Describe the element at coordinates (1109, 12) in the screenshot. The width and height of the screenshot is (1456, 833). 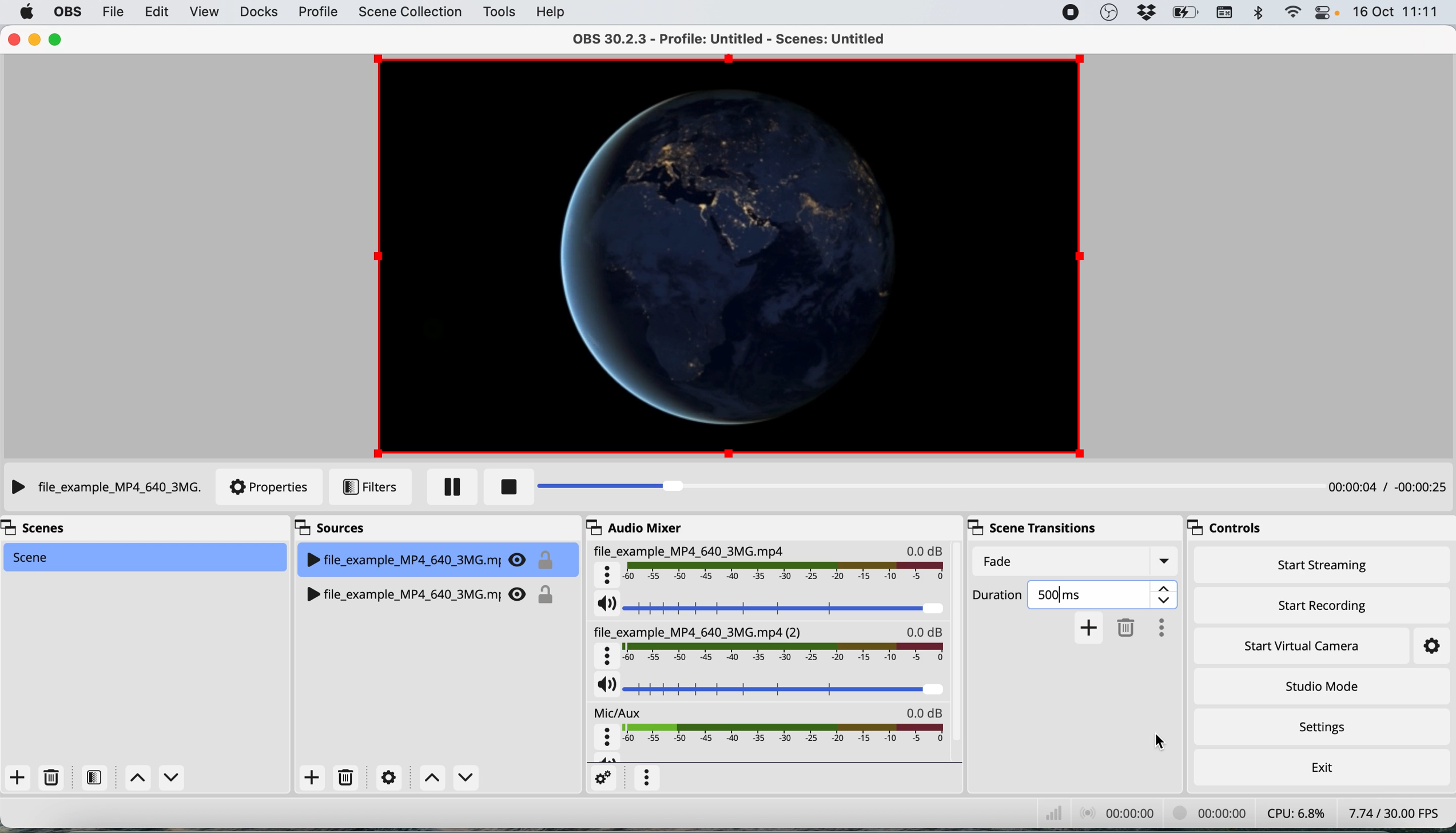
I see `obs studio` at that location.